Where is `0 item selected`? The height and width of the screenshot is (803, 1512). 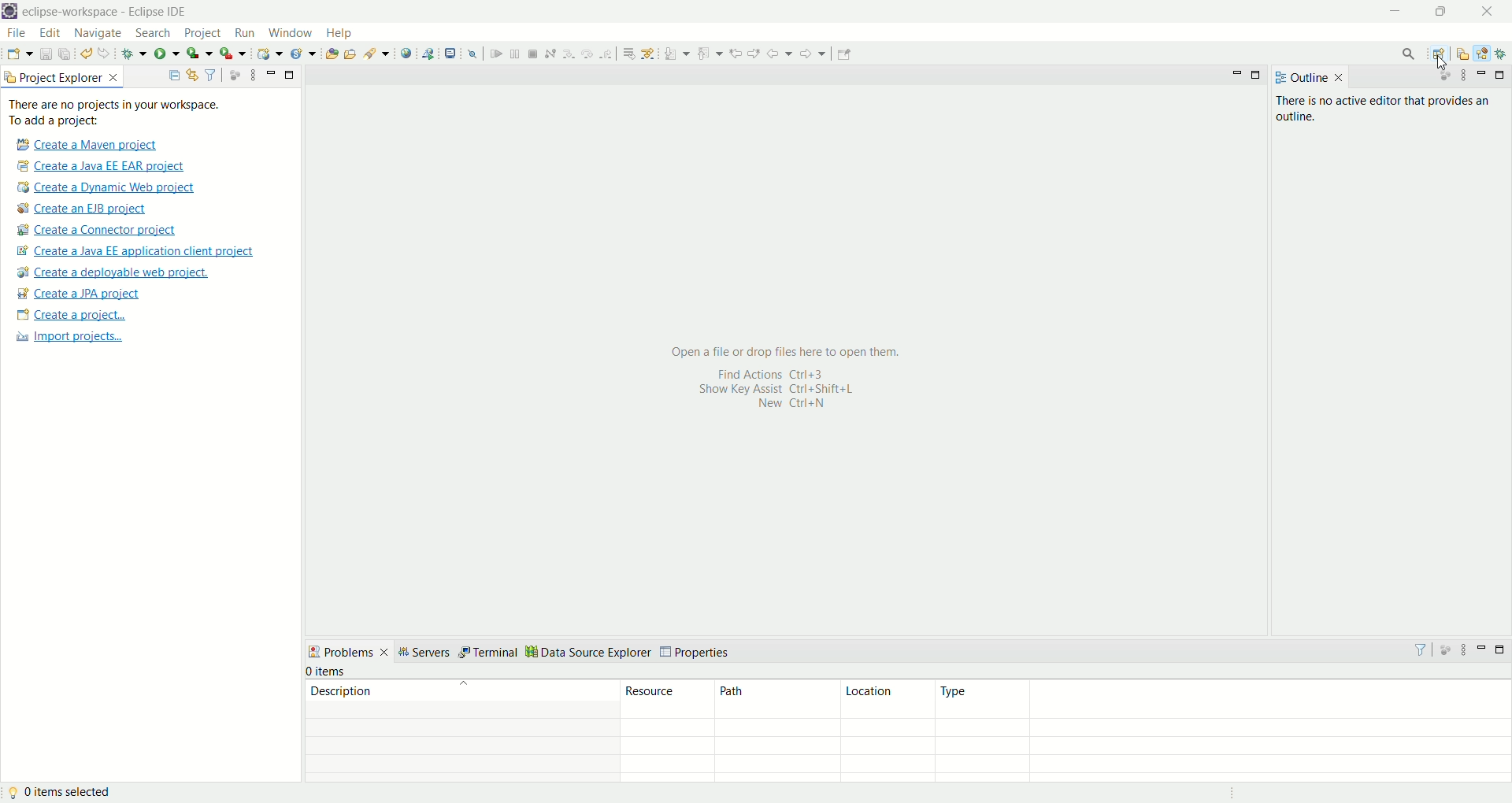
0 item selected is located at coordinates (62, 793).